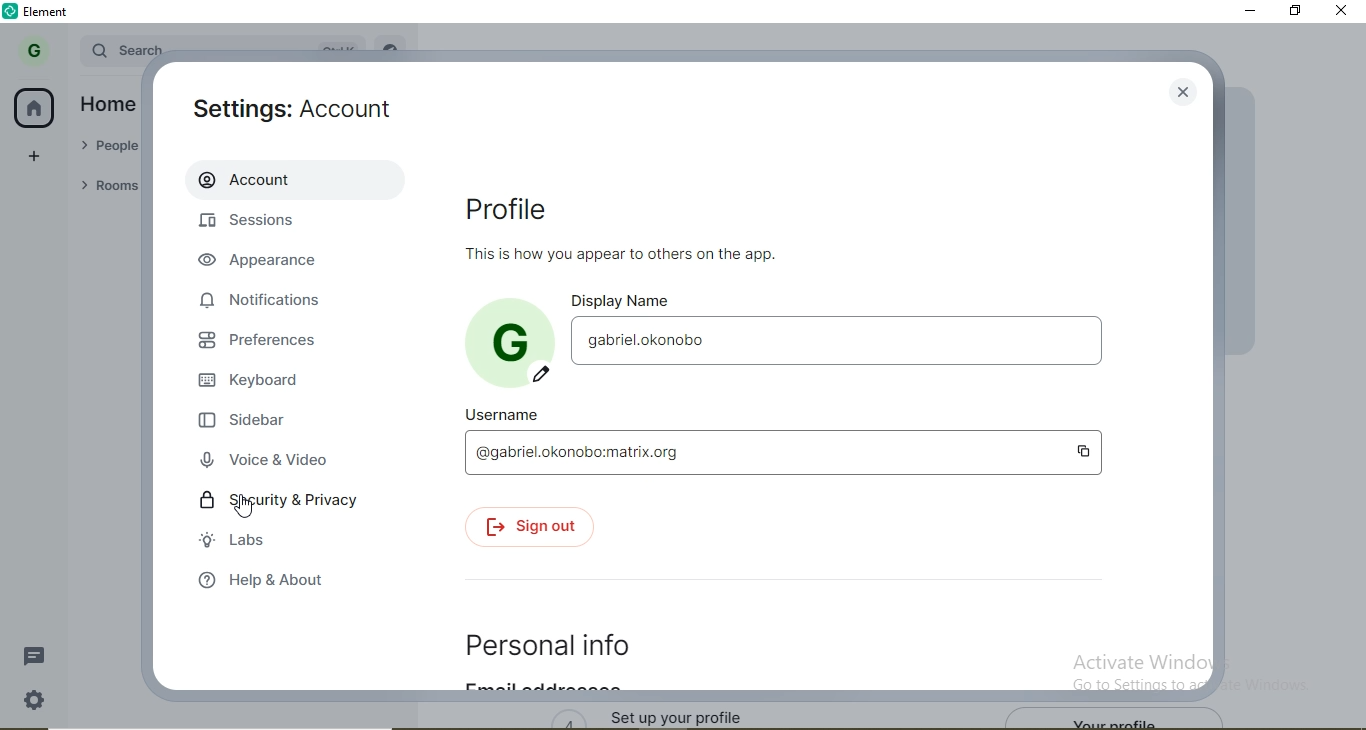 The width and height of the screenshot is (1366, 730). Describe the element at coordinates (267, 303) in the screenshot. I see `notifications` at that location.